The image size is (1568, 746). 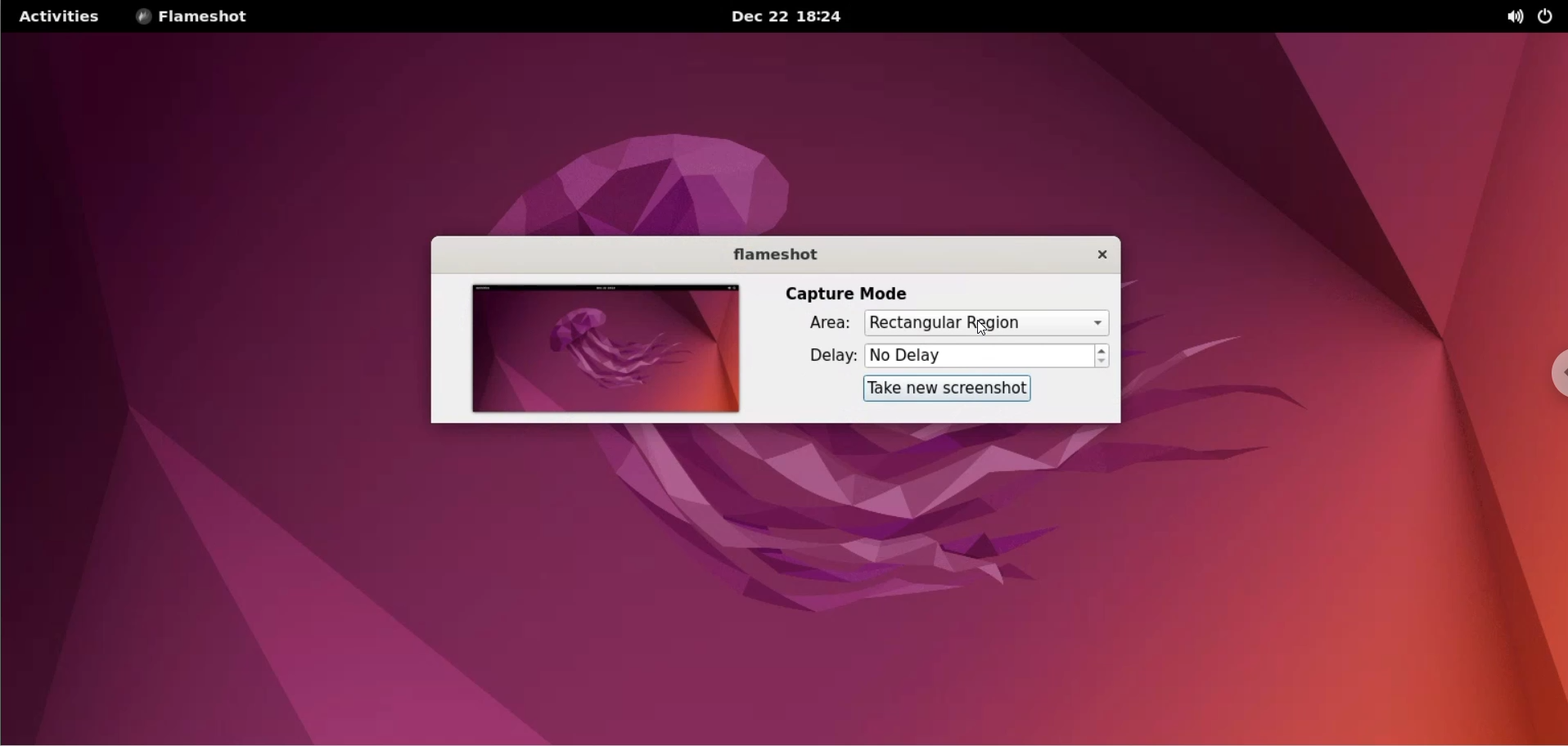 I want to click on flameshot, so click(x=767, y=253).